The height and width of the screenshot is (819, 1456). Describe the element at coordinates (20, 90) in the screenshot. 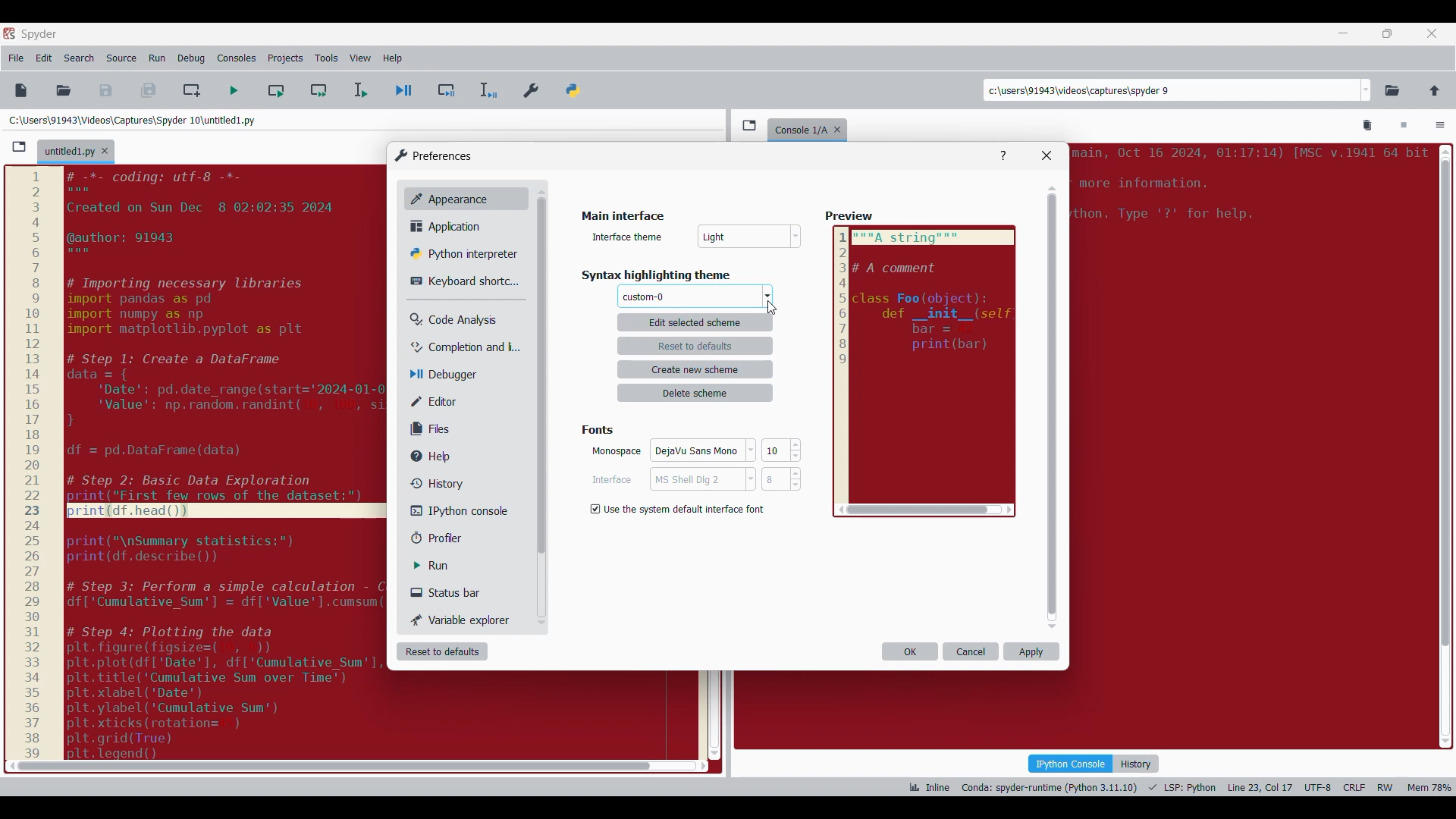

I see `New file` at that location.